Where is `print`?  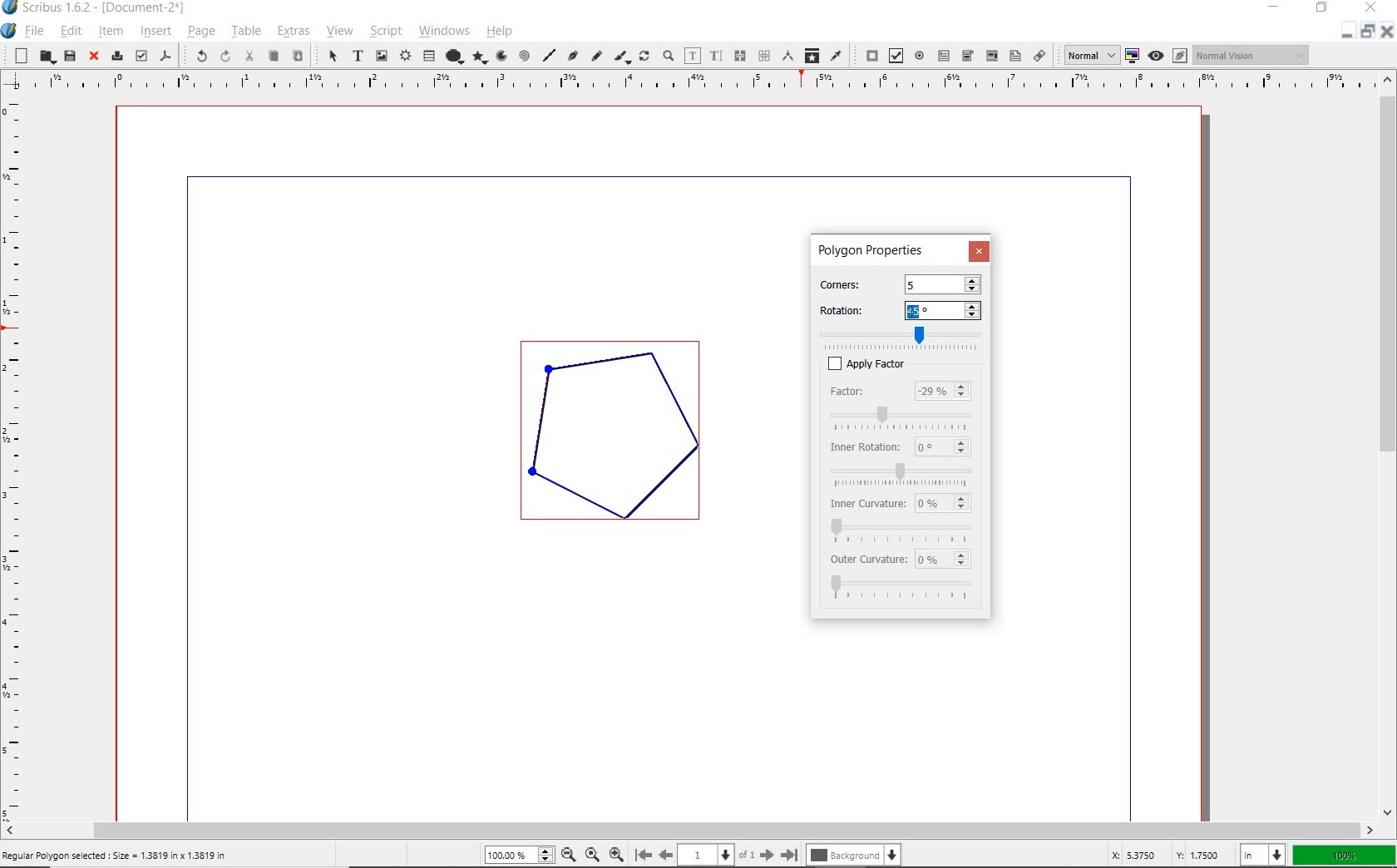
print is located at coordinates (116, 56).